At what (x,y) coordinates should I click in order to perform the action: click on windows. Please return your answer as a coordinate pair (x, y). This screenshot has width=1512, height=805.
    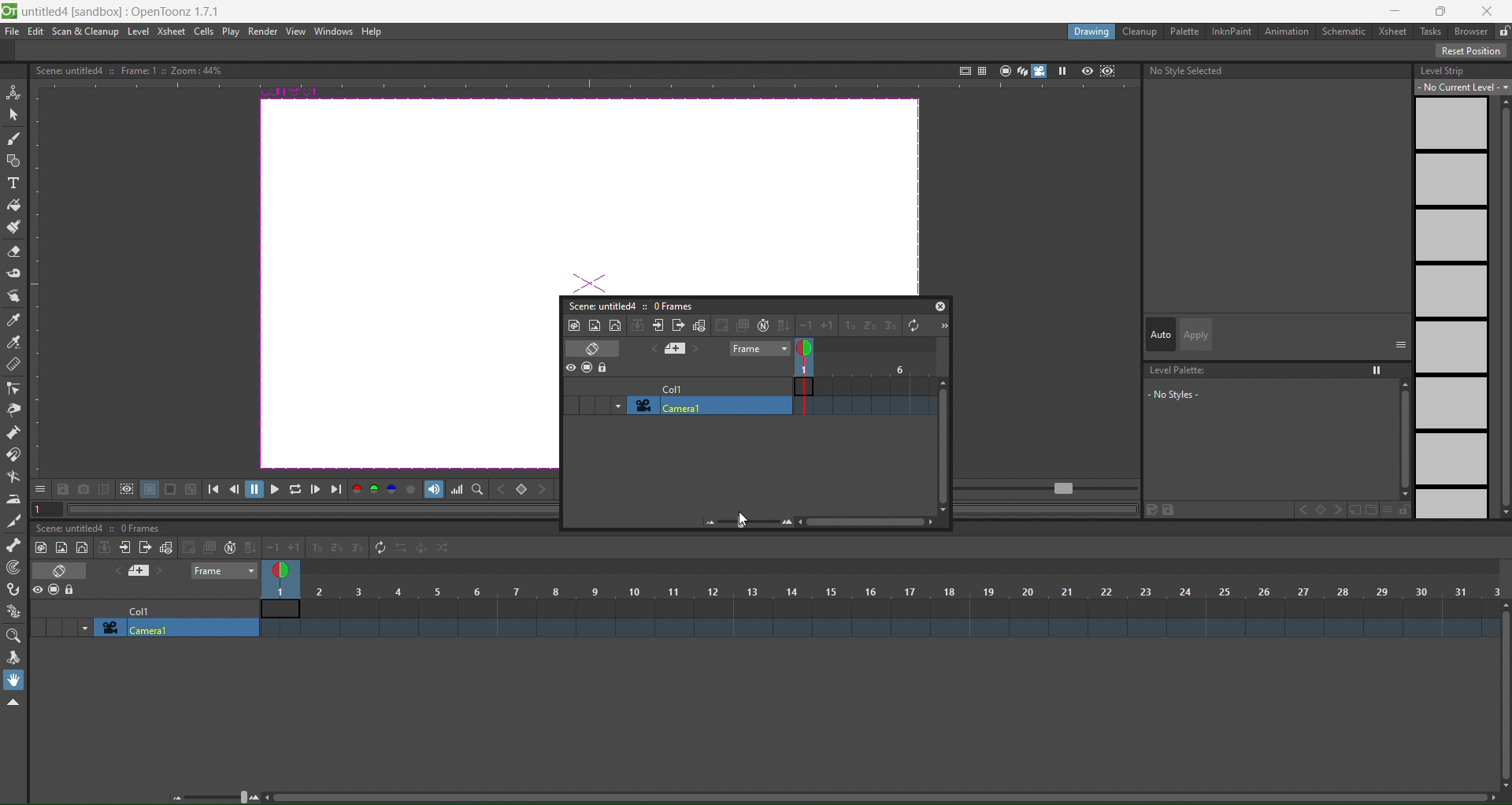
    Looking at the image, I should click on (330, 32).